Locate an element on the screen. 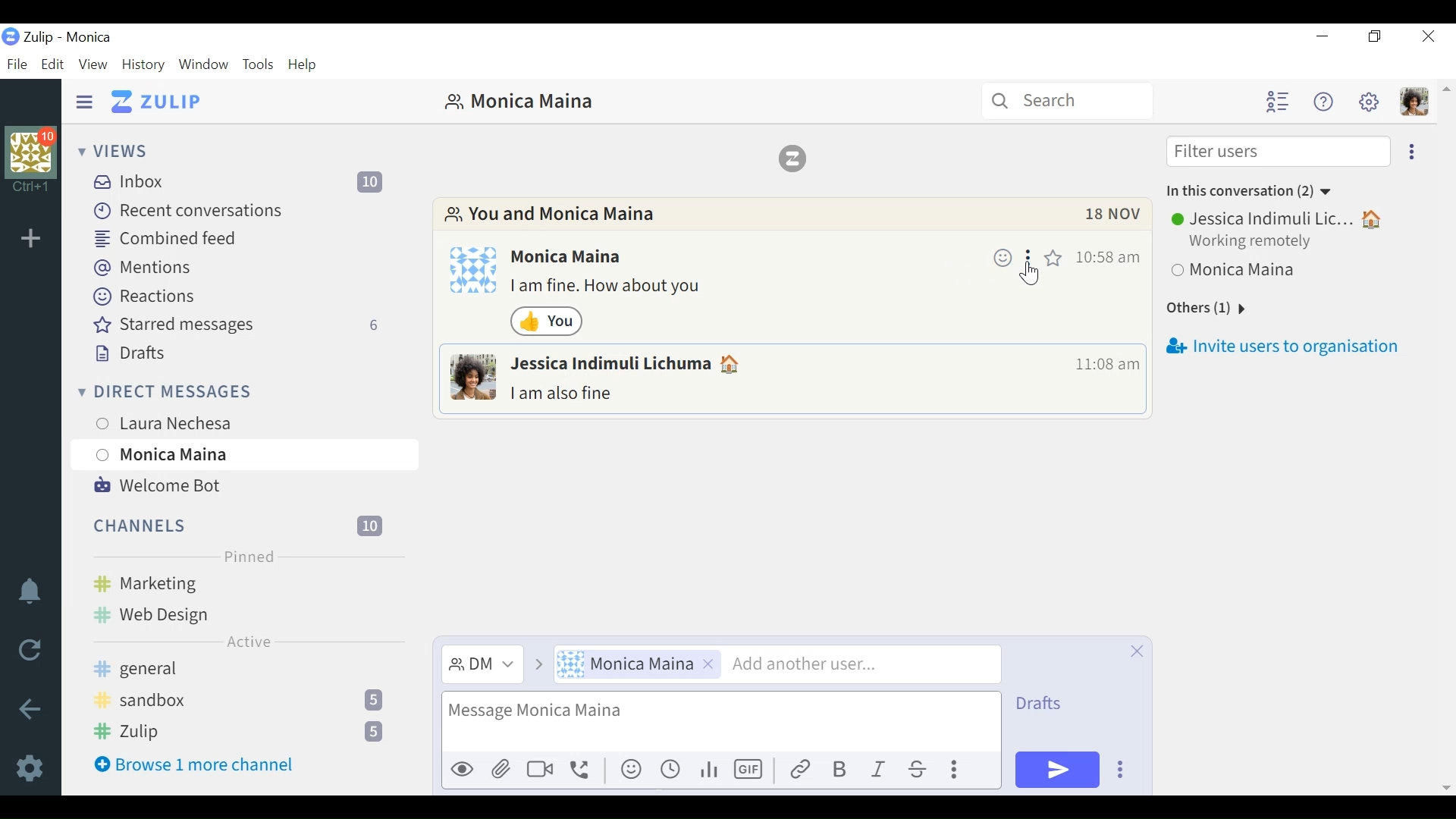 The image size is (1456, 819). History is located at coordinates (146, 65).